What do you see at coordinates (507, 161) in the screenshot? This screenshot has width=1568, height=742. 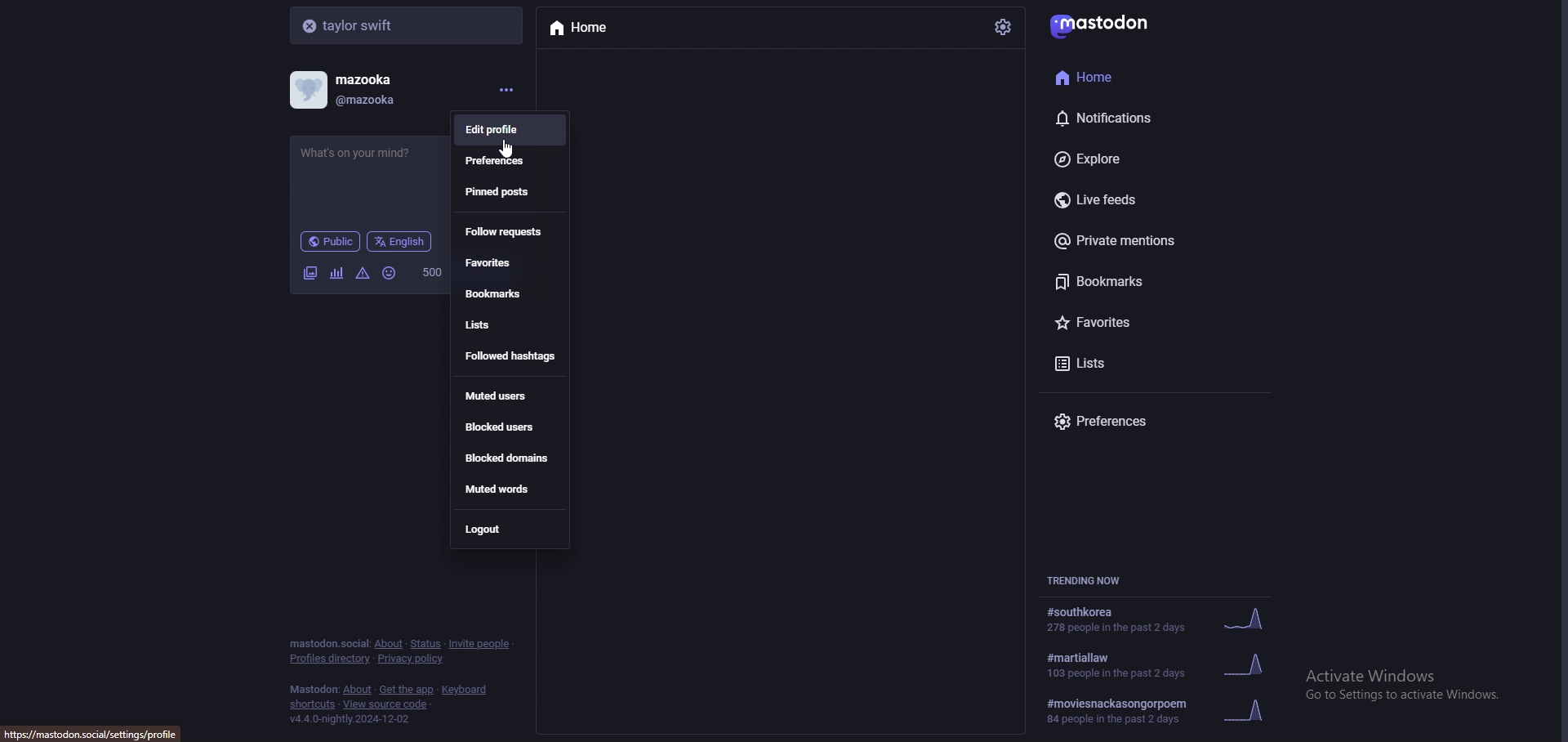 I see `preferences` at bounding box center [507, 161].